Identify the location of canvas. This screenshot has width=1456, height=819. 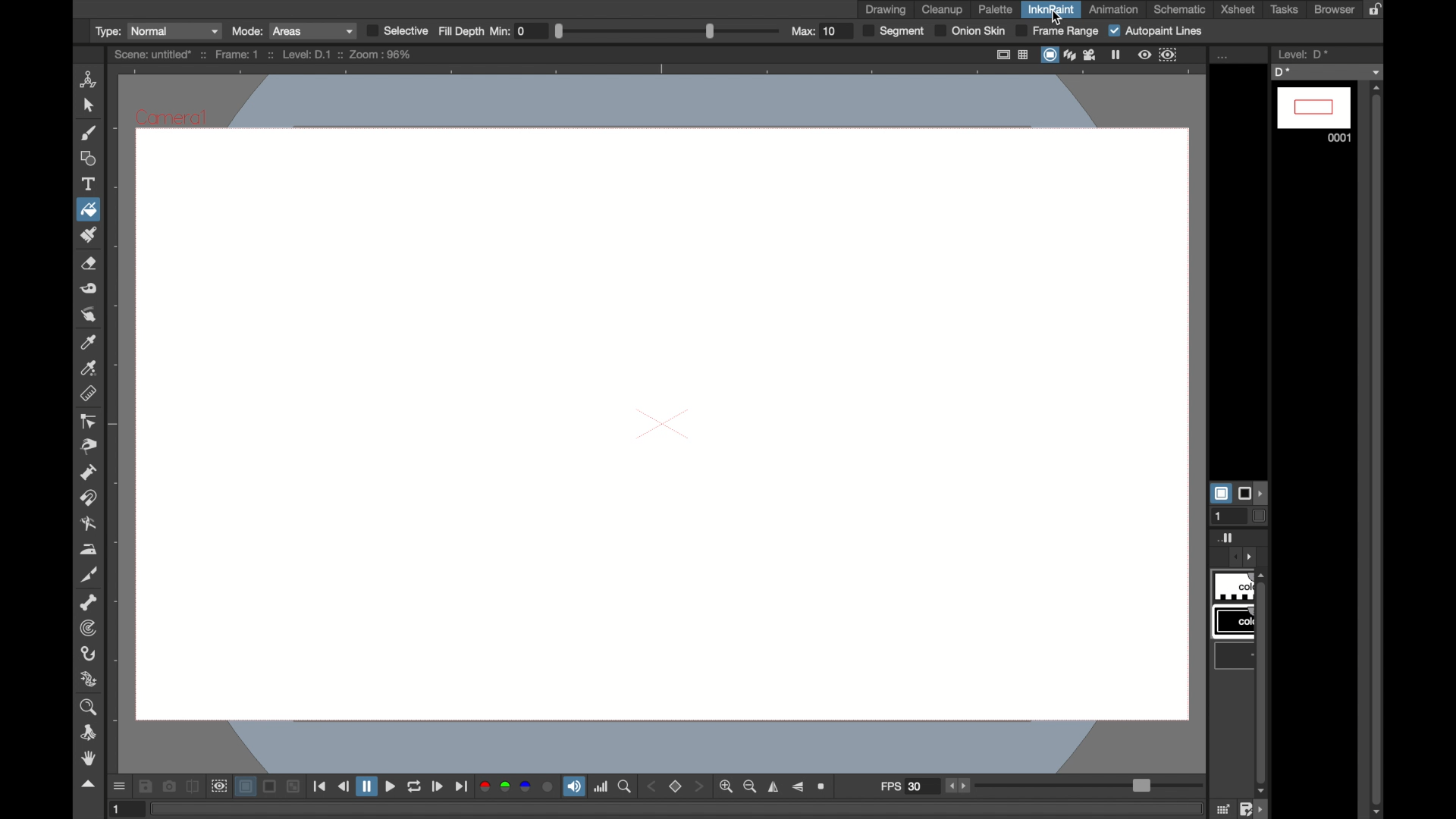
(657, 419).